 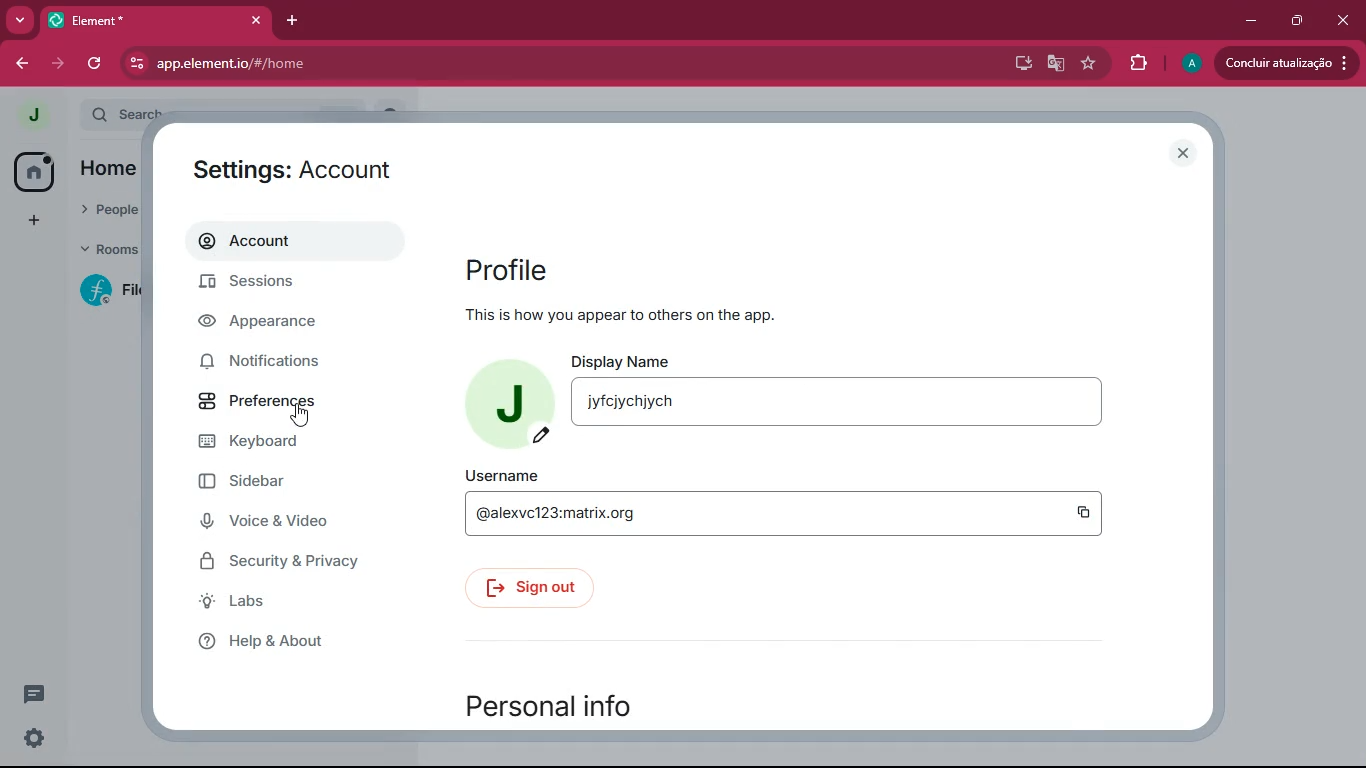 I want to click on quick settings, so click(x=32, y=740).